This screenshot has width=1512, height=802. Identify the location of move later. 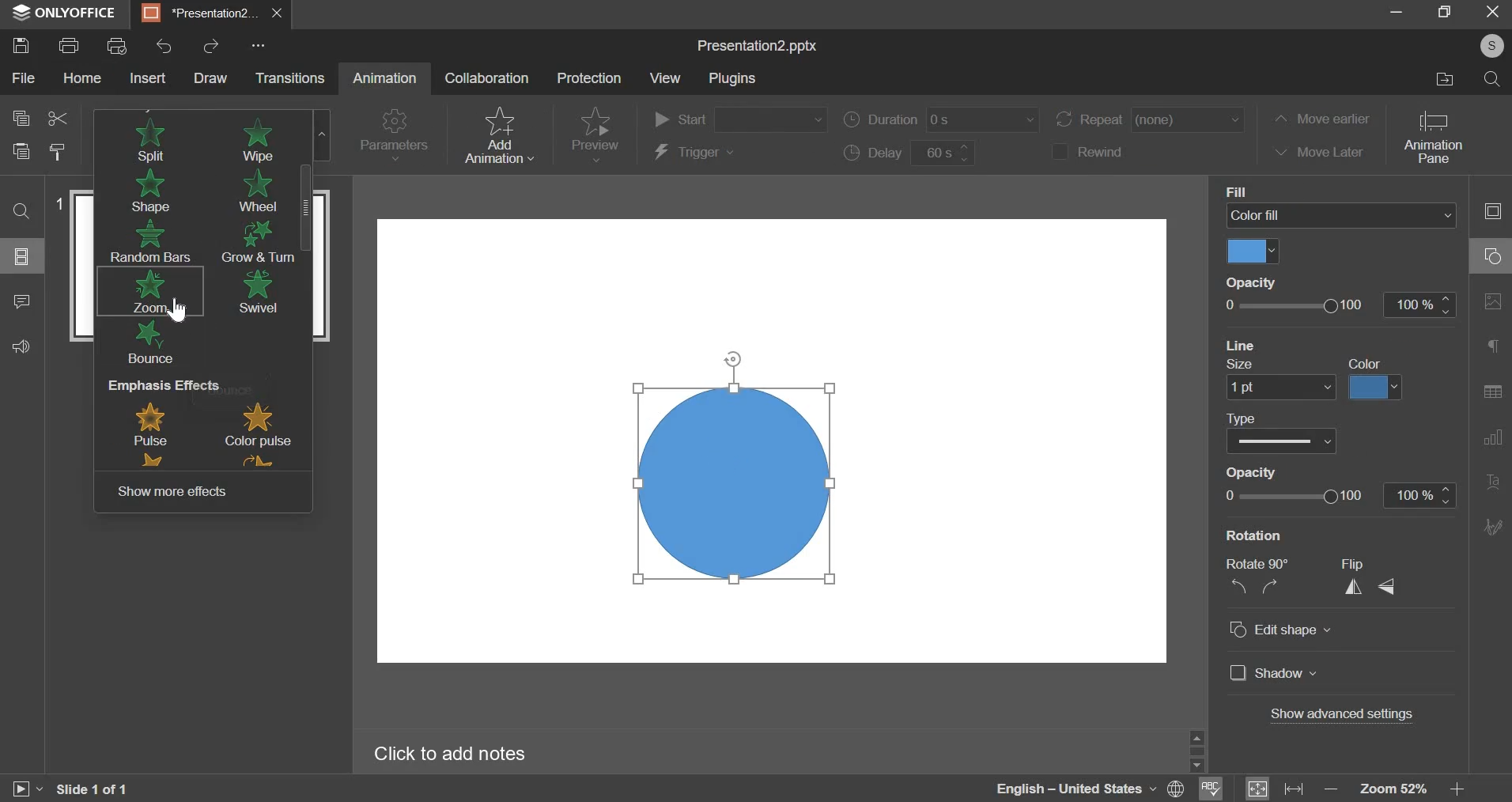
(1323, 150).